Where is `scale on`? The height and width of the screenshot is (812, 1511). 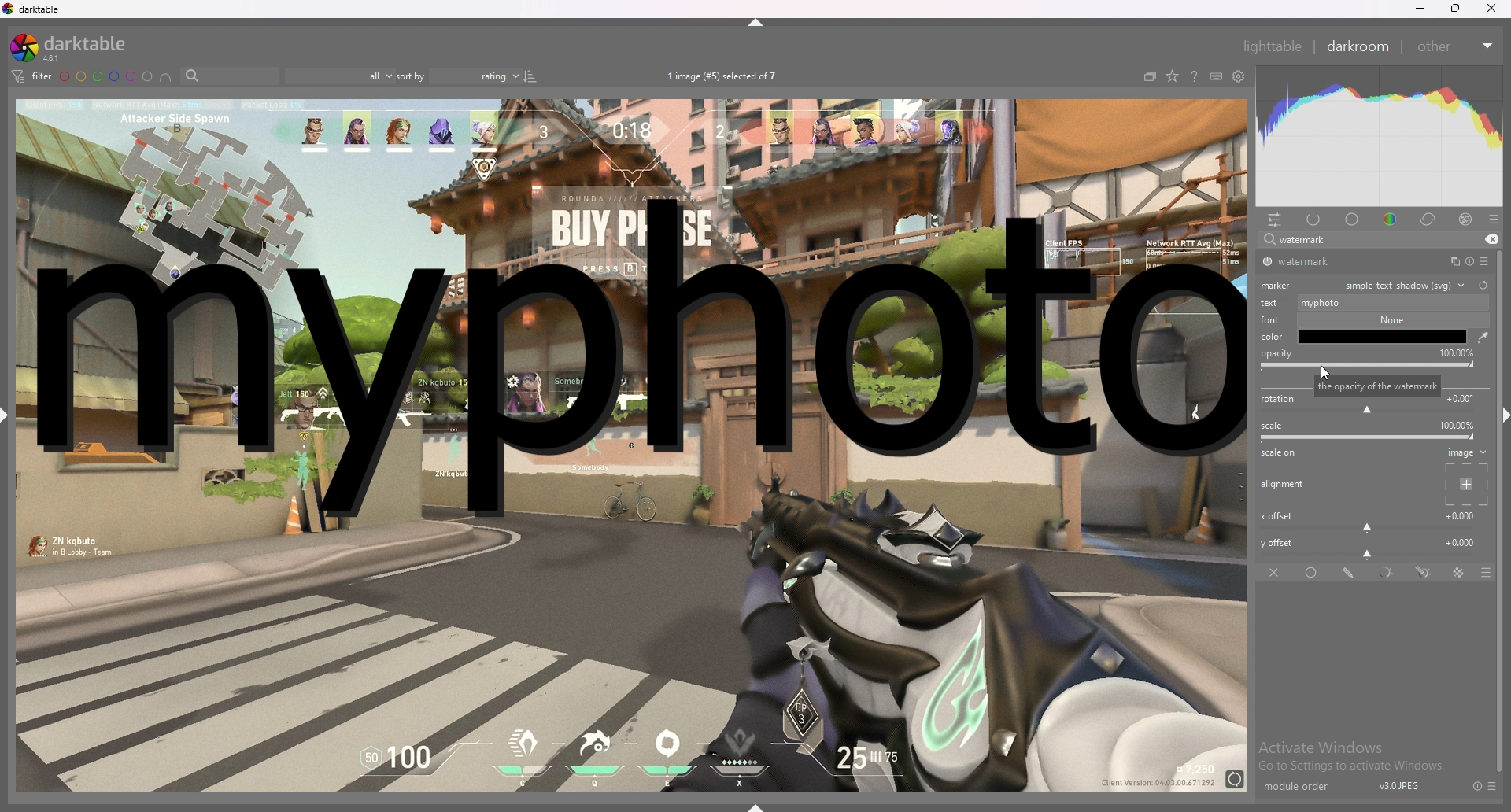
scale on is located at coordinates (1283, 454).